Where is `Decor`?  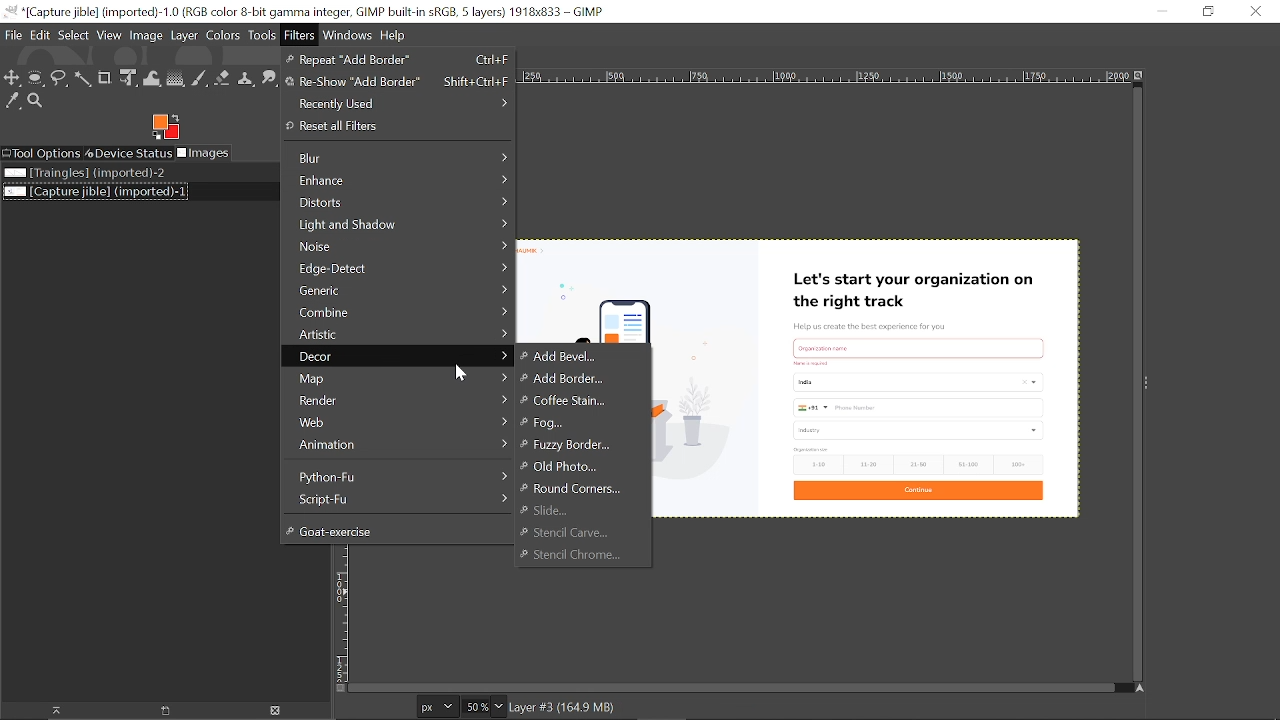 Decor is located at coordinates (397, 357).